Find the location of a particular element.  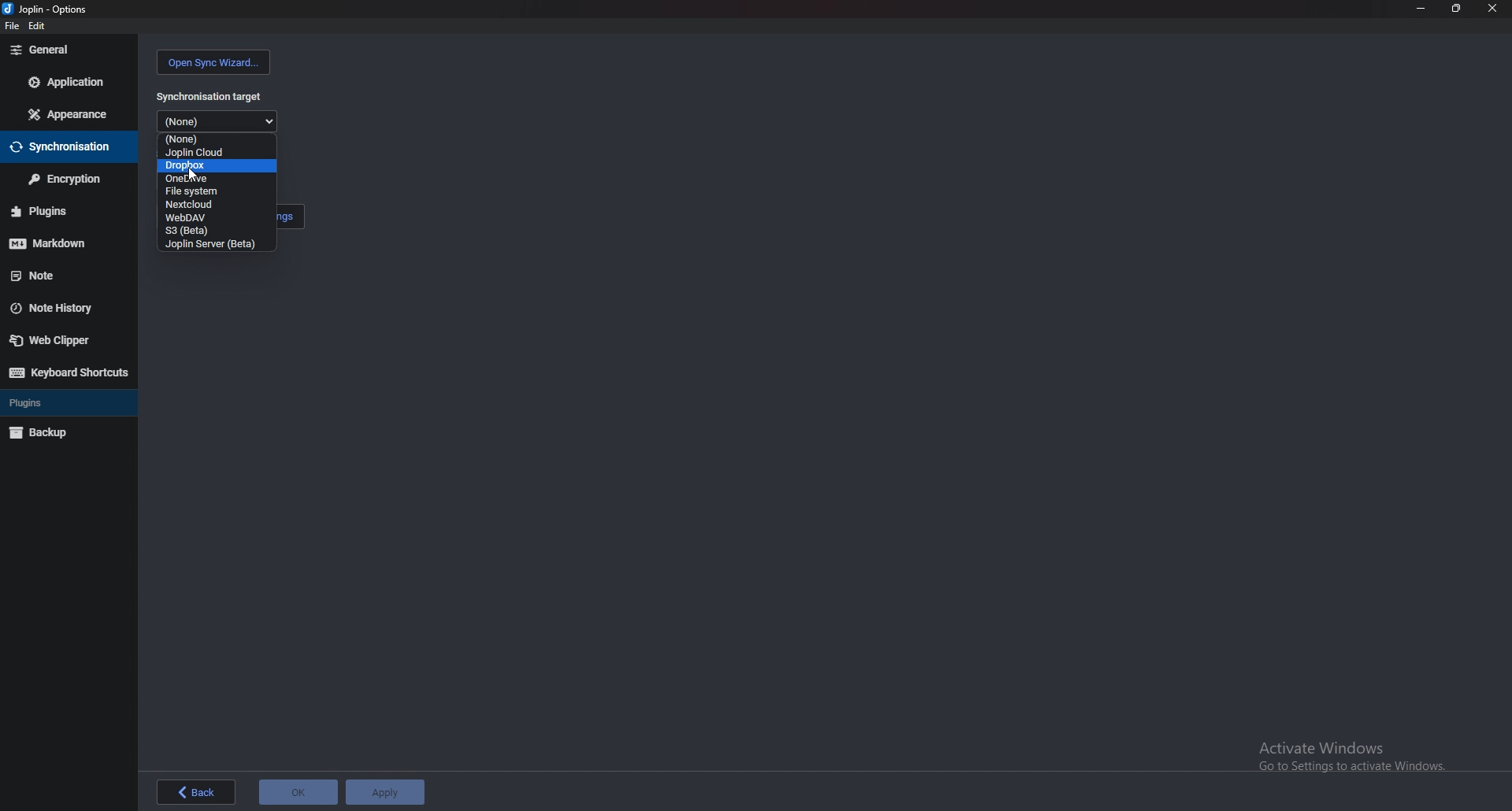

dropbox is located at coordinates (213, 166).